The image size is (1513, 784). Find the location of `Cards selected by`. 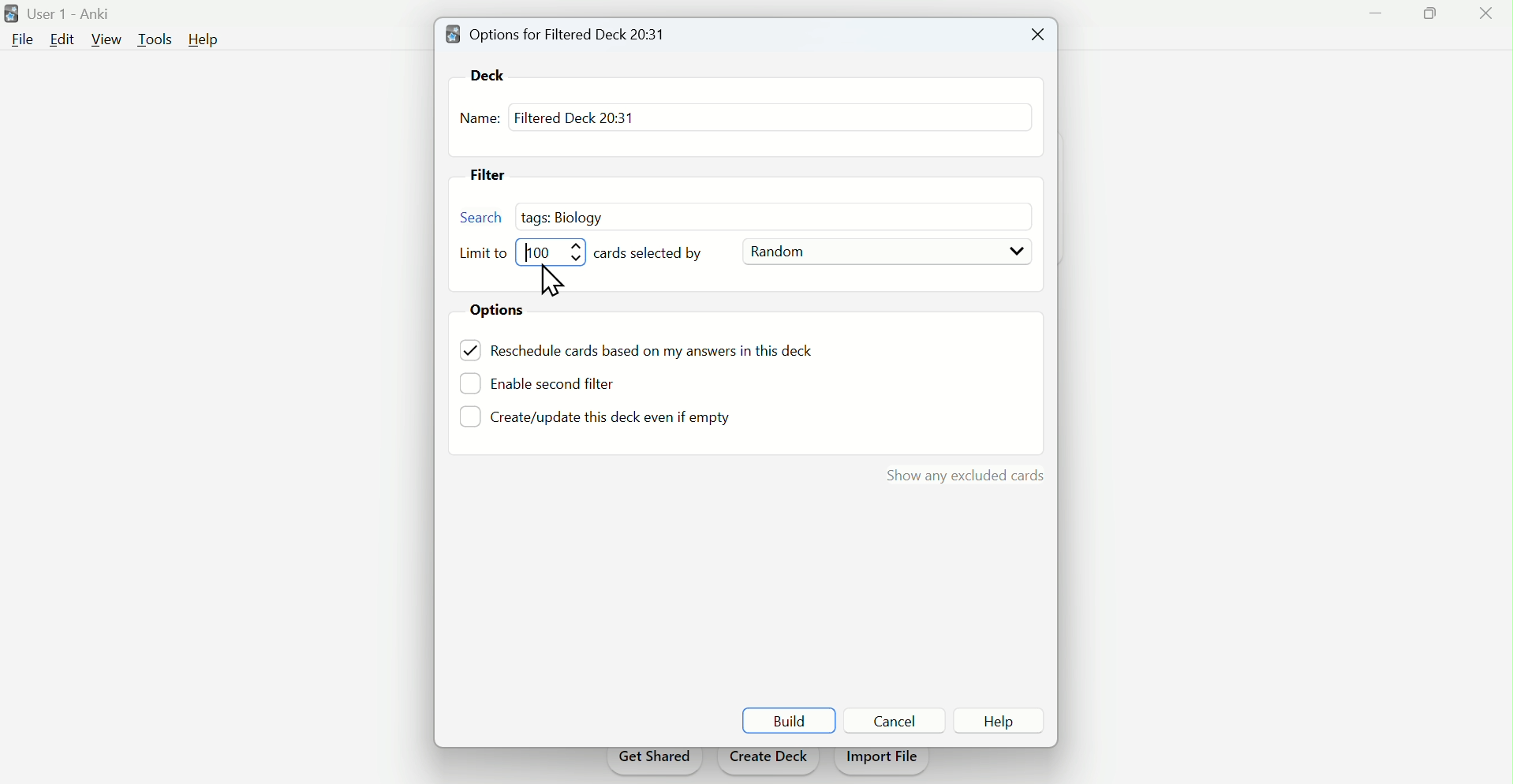

Cards selected by is located at coordinates (657, 254).